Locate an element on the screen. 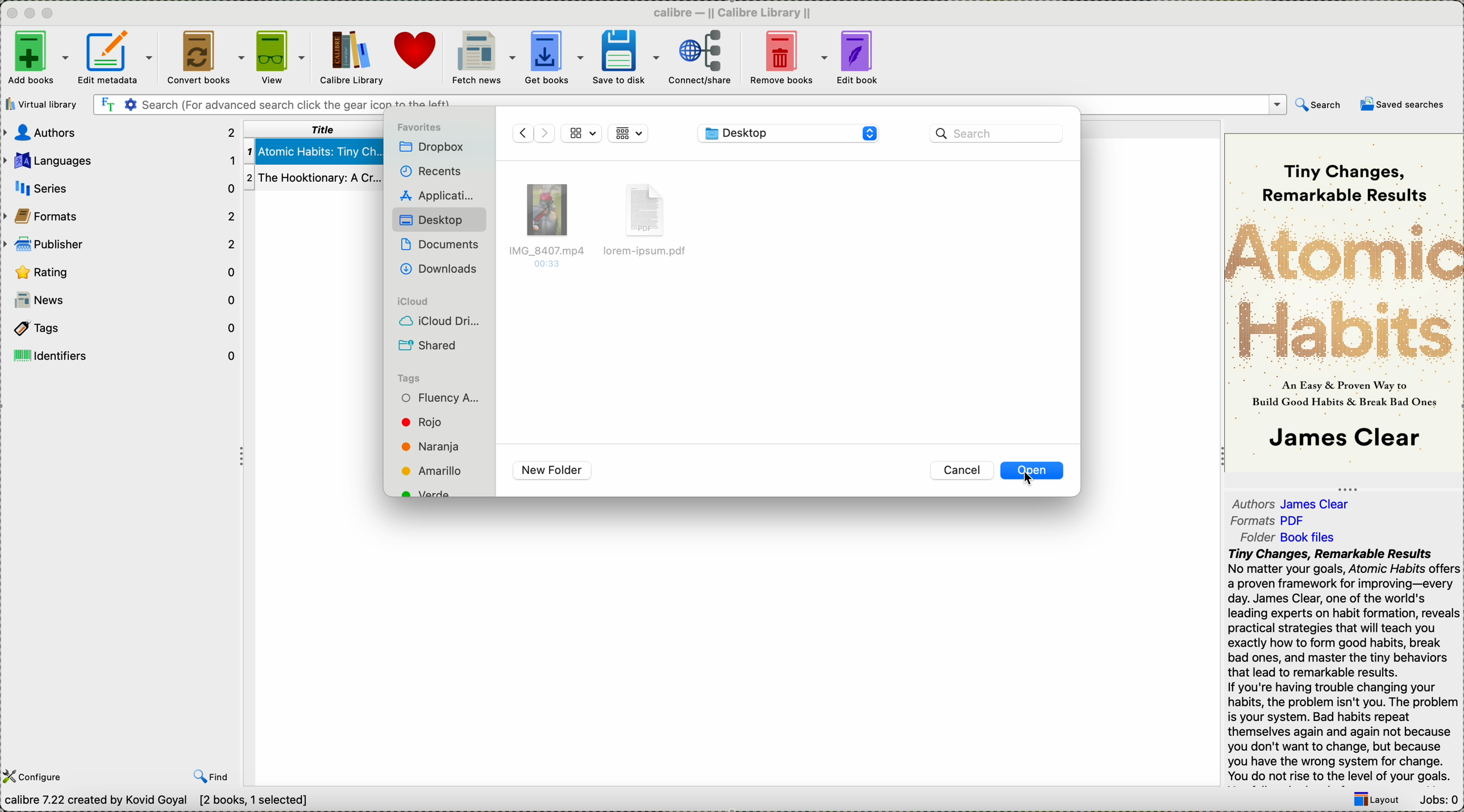 The image size is (1464, 812). publisher is located at coordinates (120, 245).